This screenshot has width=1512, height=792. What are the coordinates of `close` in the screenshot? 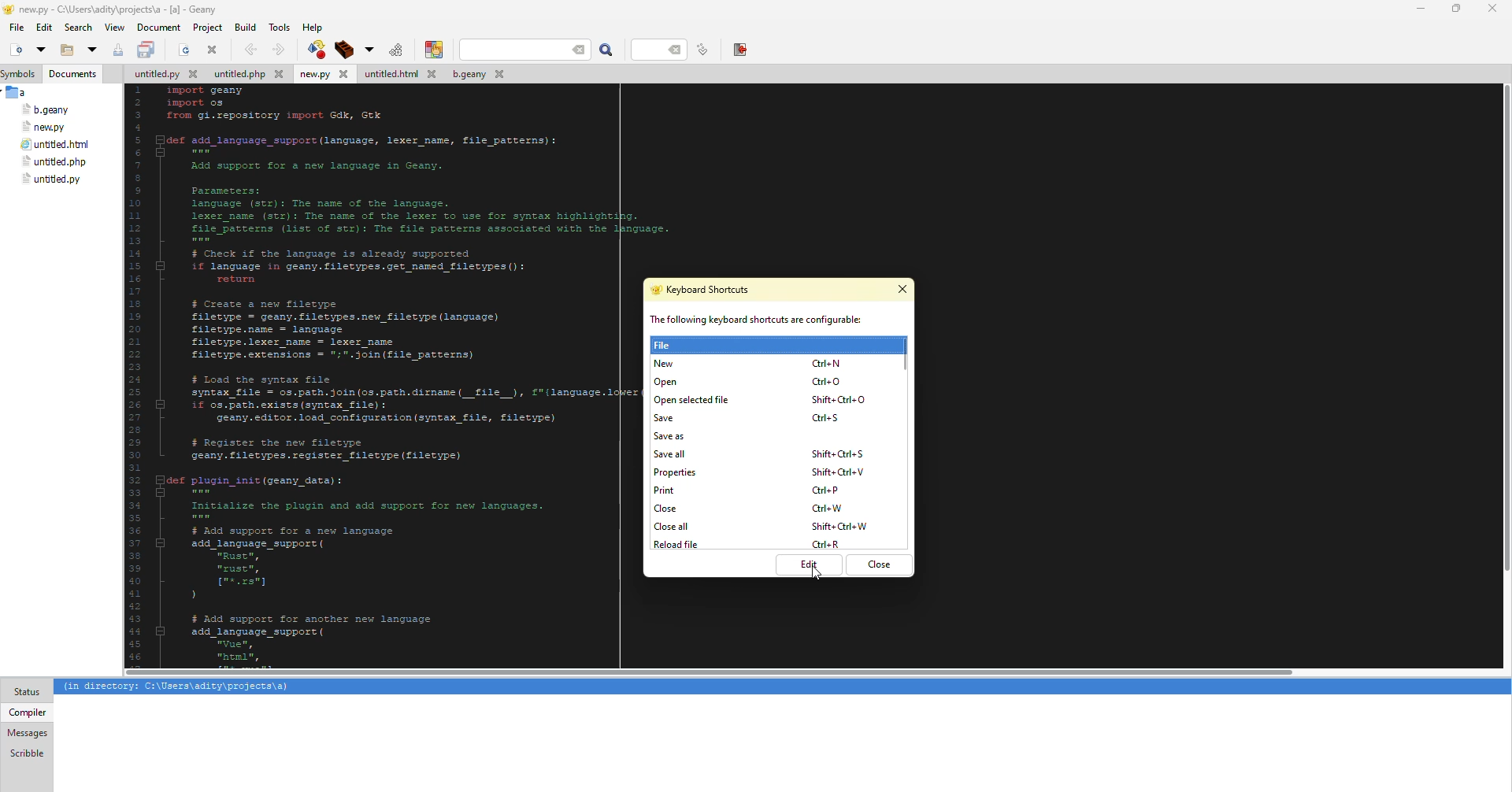 It's located at (213, 50).